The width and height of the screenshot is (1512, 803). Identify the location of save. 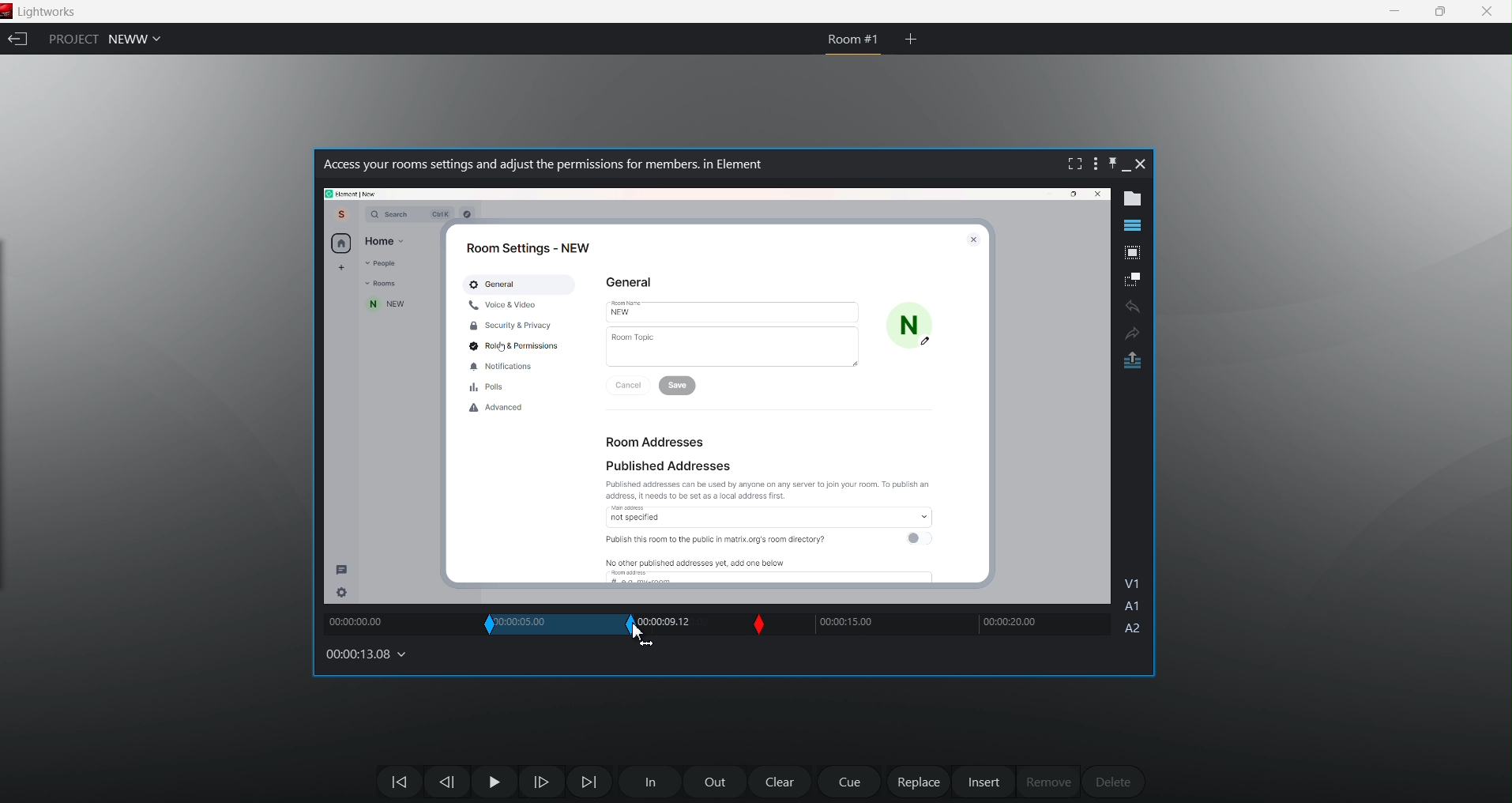
(682, 386).